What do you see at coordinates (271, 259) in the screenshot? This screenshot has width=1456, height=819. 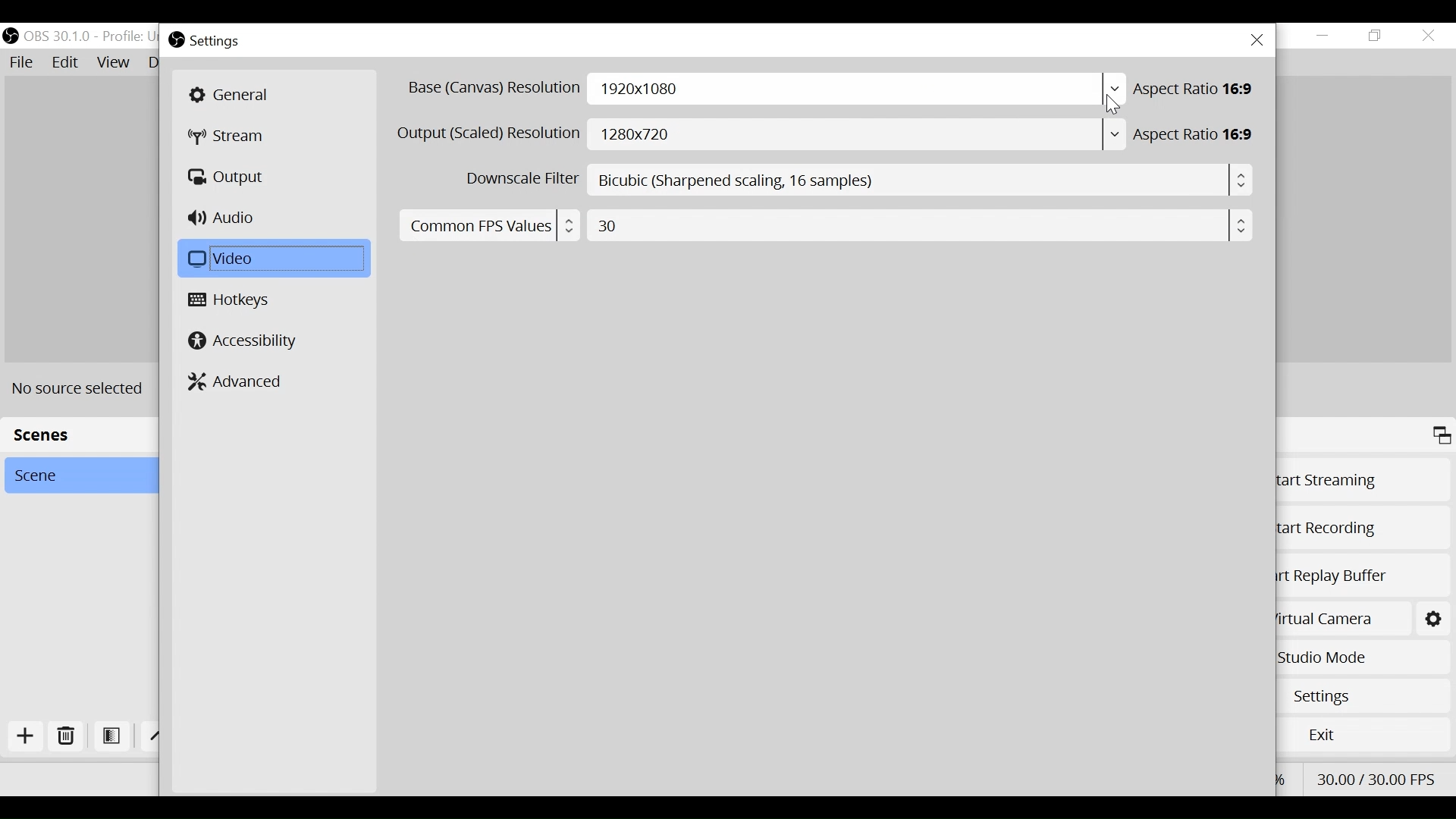 I see `Video` at bounding box center [271, 259].